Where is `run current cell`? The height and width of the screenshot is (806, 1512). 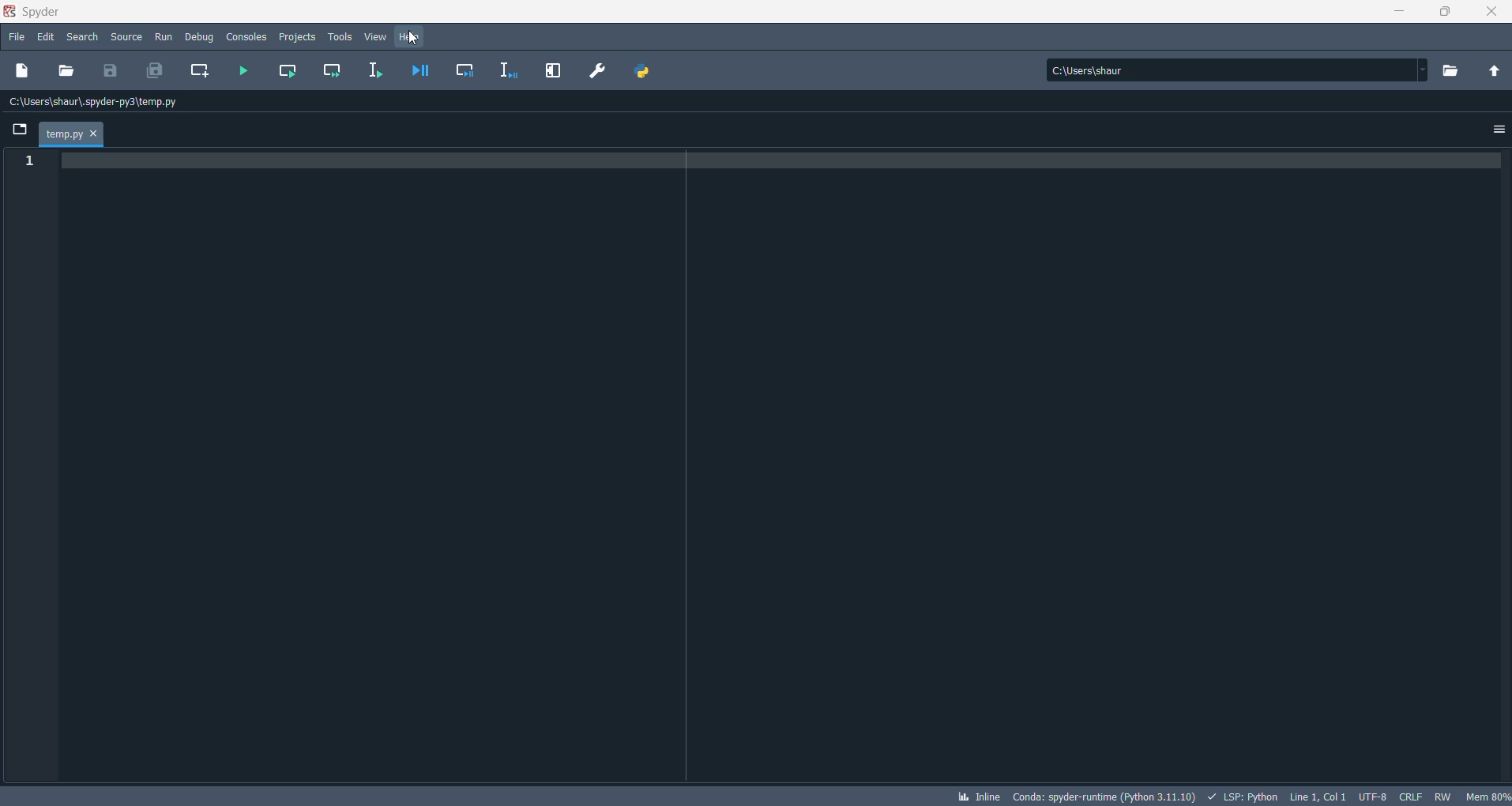 run current cell is located at coordinates (334, 70).